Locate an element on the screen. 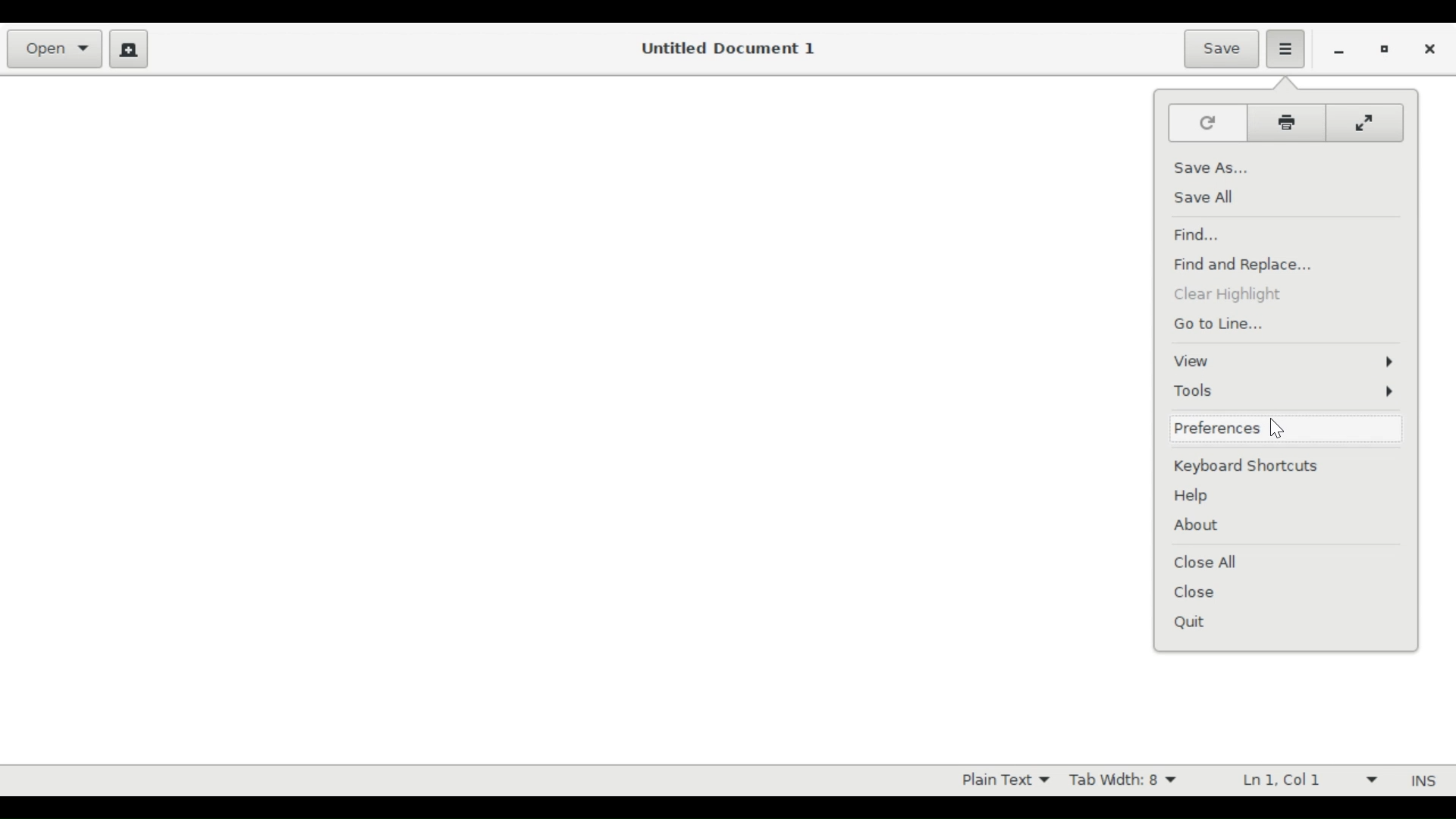  Save is located at coordinates (1221, 48).